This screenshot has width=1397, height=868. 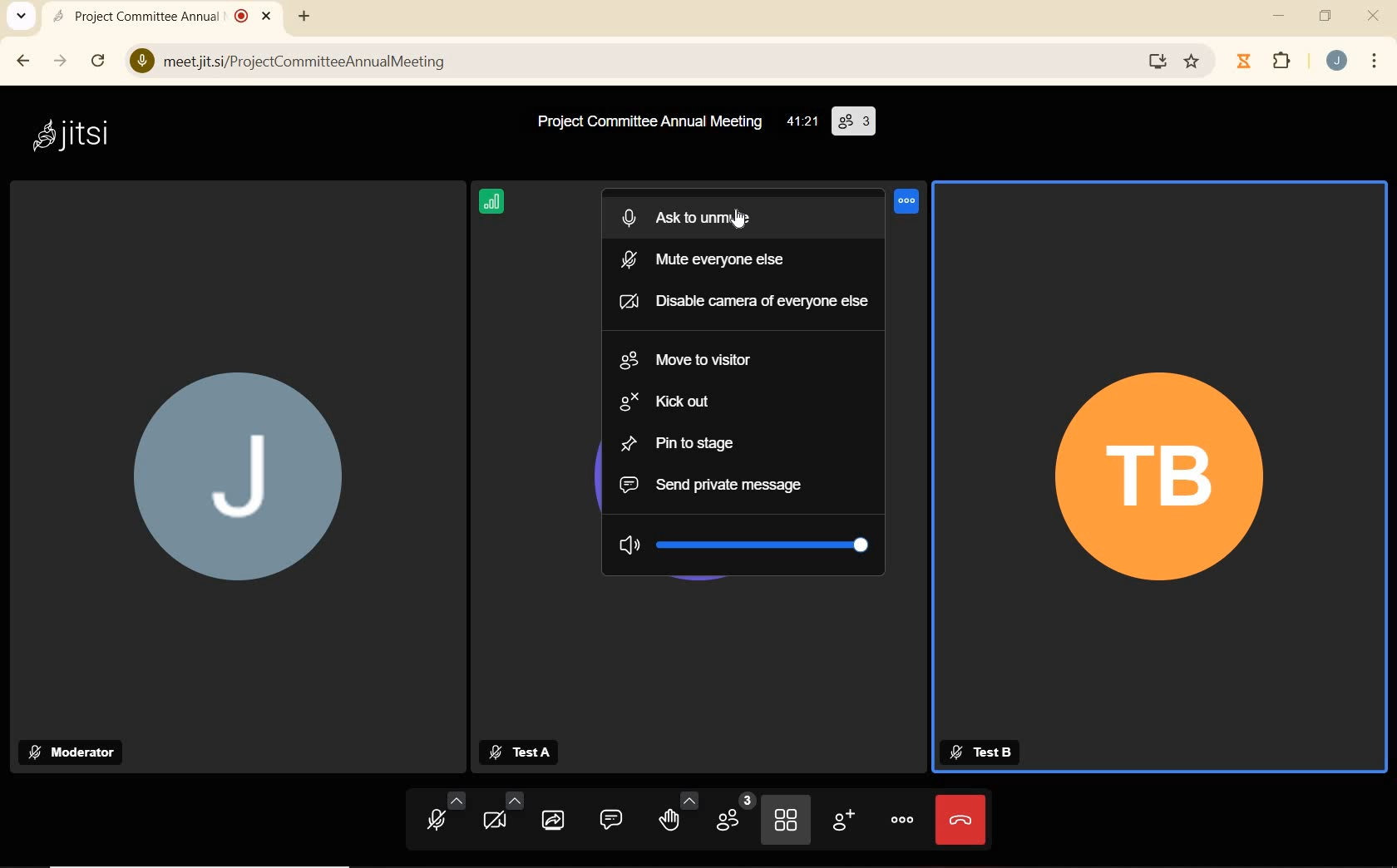 What do you see at coordinates (708, 256) in the screenshot?
I see `MUTE EVERYONE ELSE` at bounding box center [708, 256].